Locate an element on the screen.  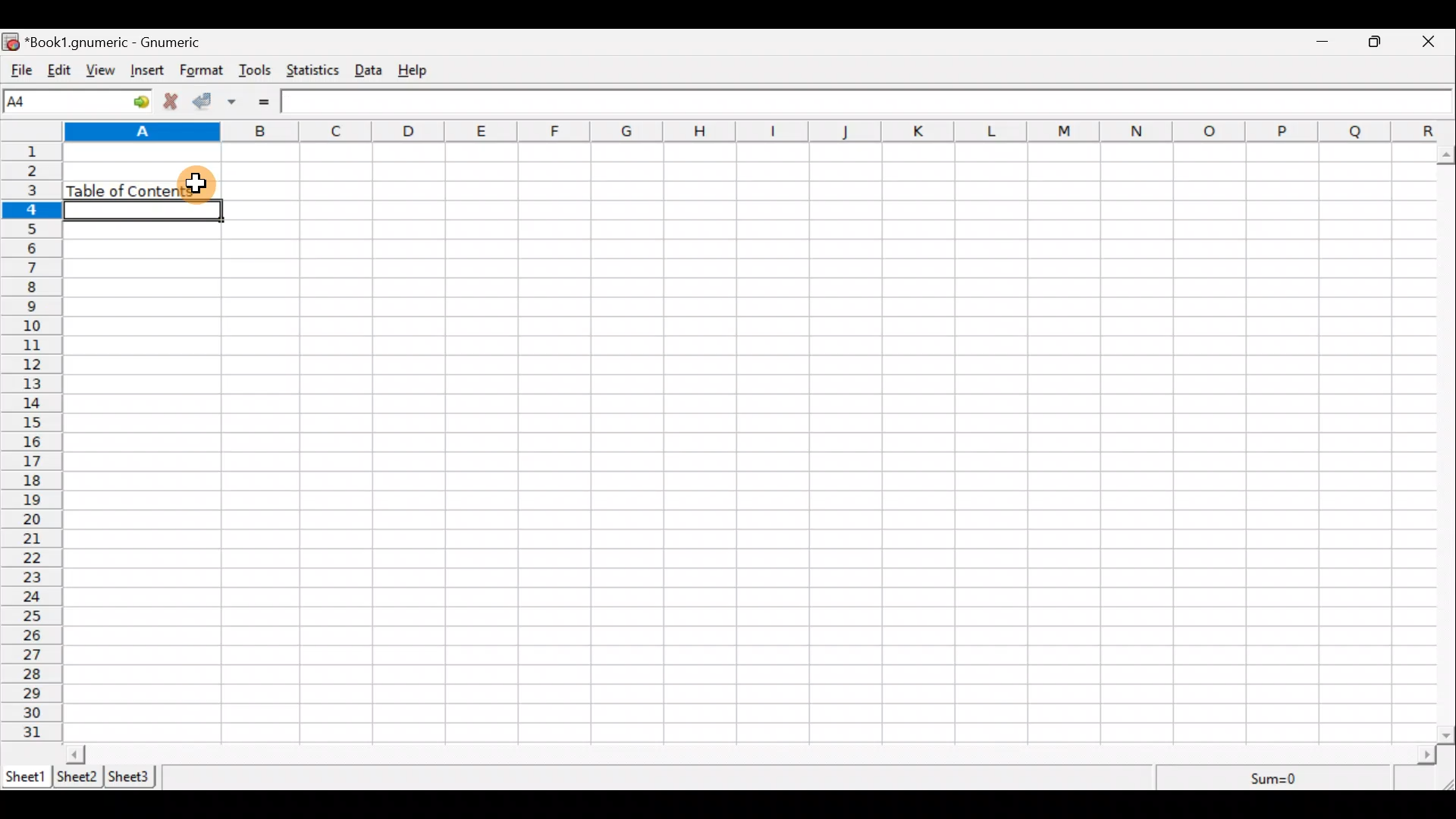
Minimize is located at coordinates (1323, 43).